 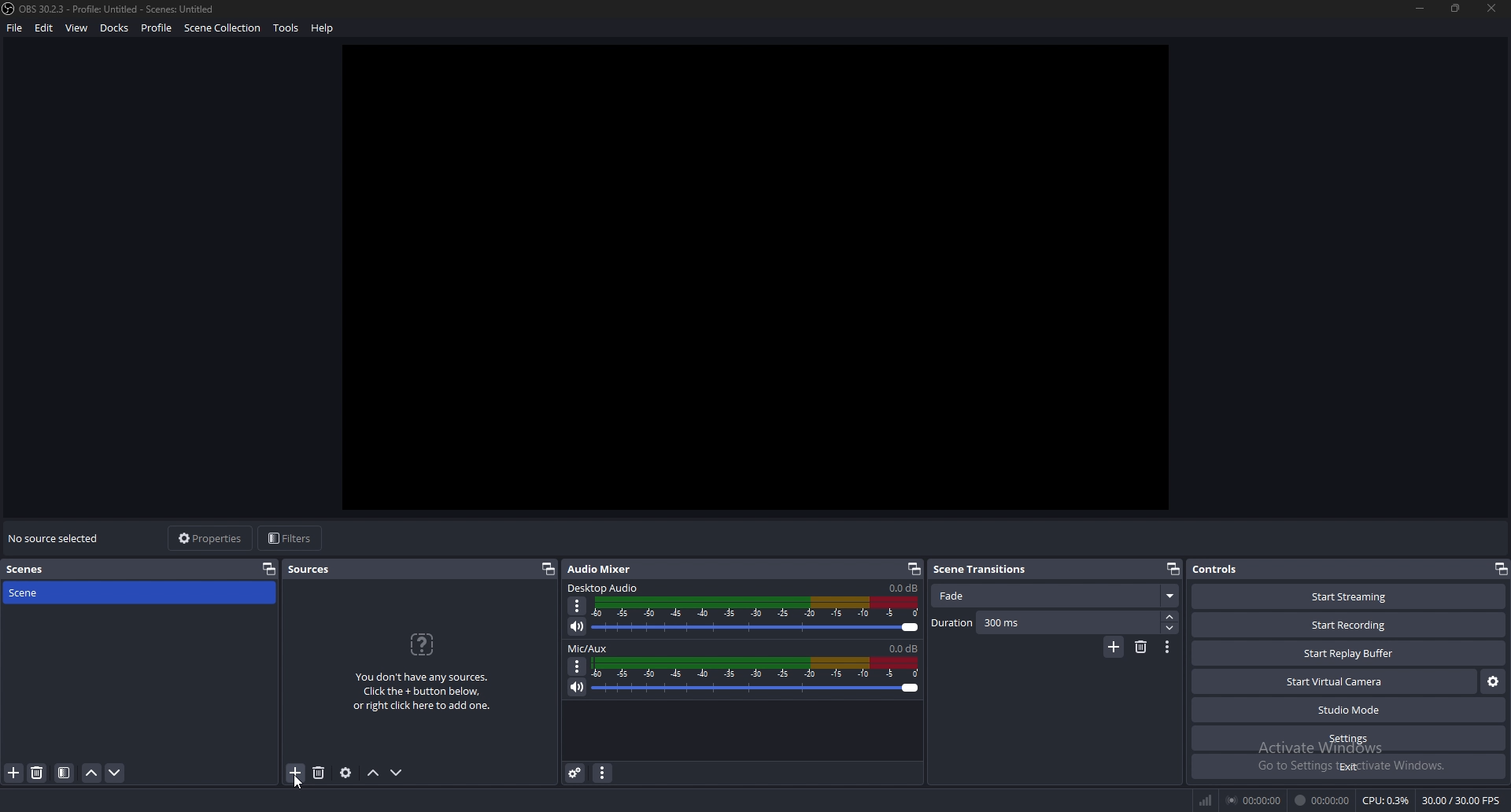 What do you see at coordinates (1225, 570) in the screenshot?
I see `controls` at bounding box center [1225, 570].